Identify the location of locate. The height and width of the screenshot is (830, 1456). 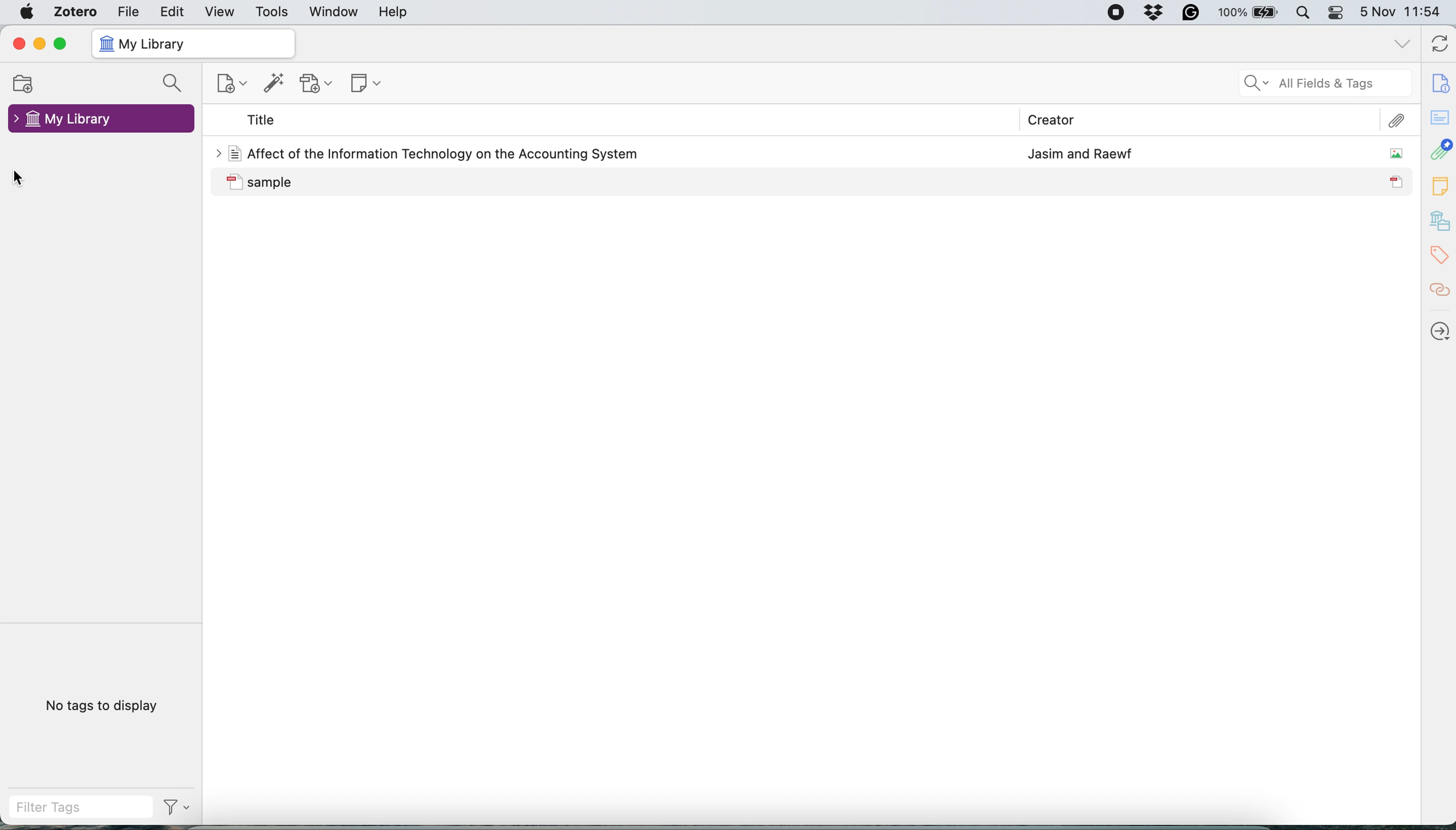
(1437, 327).